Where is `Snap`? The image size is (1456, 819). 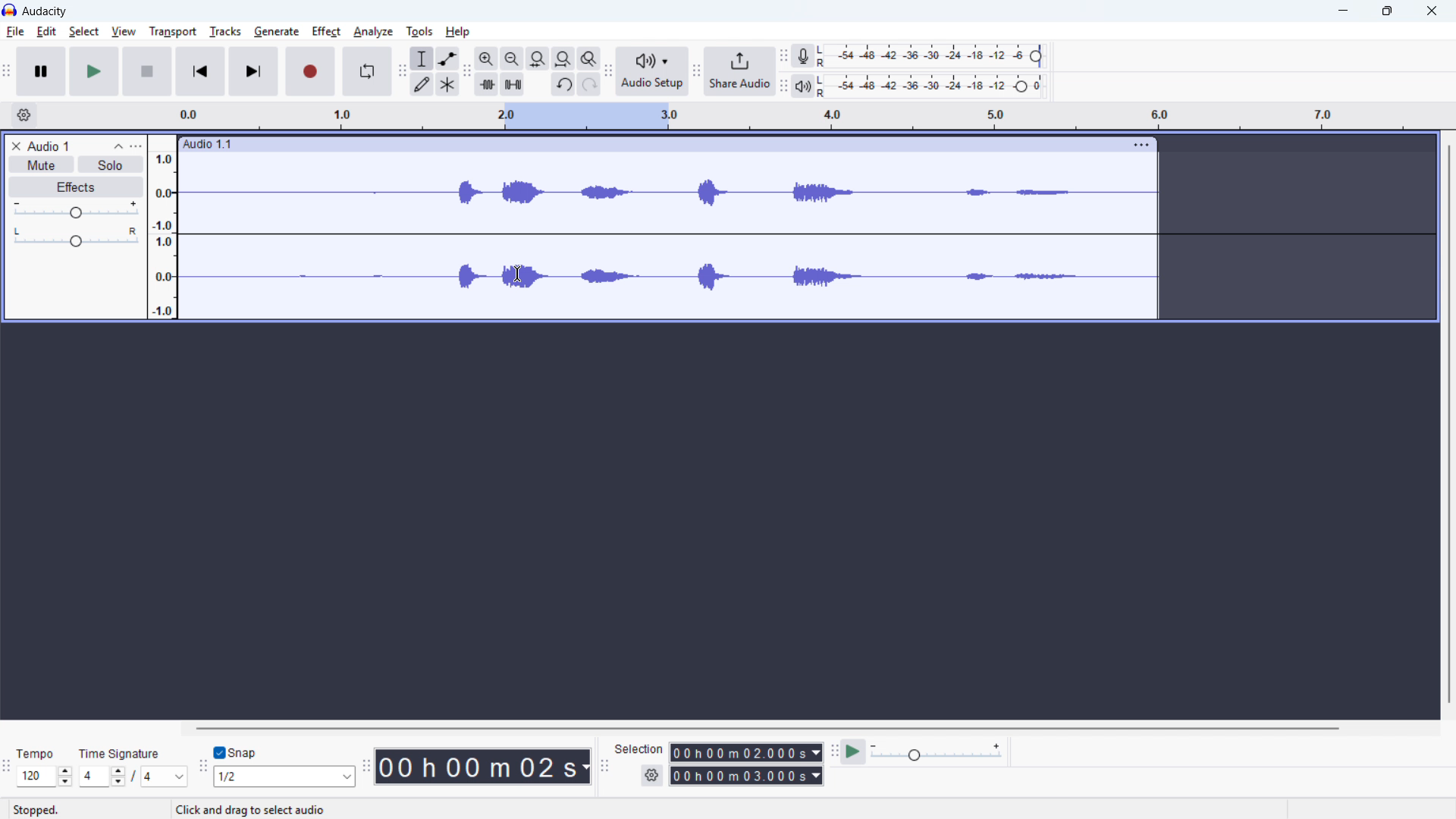 Snap is located at coordinates (238, 752).